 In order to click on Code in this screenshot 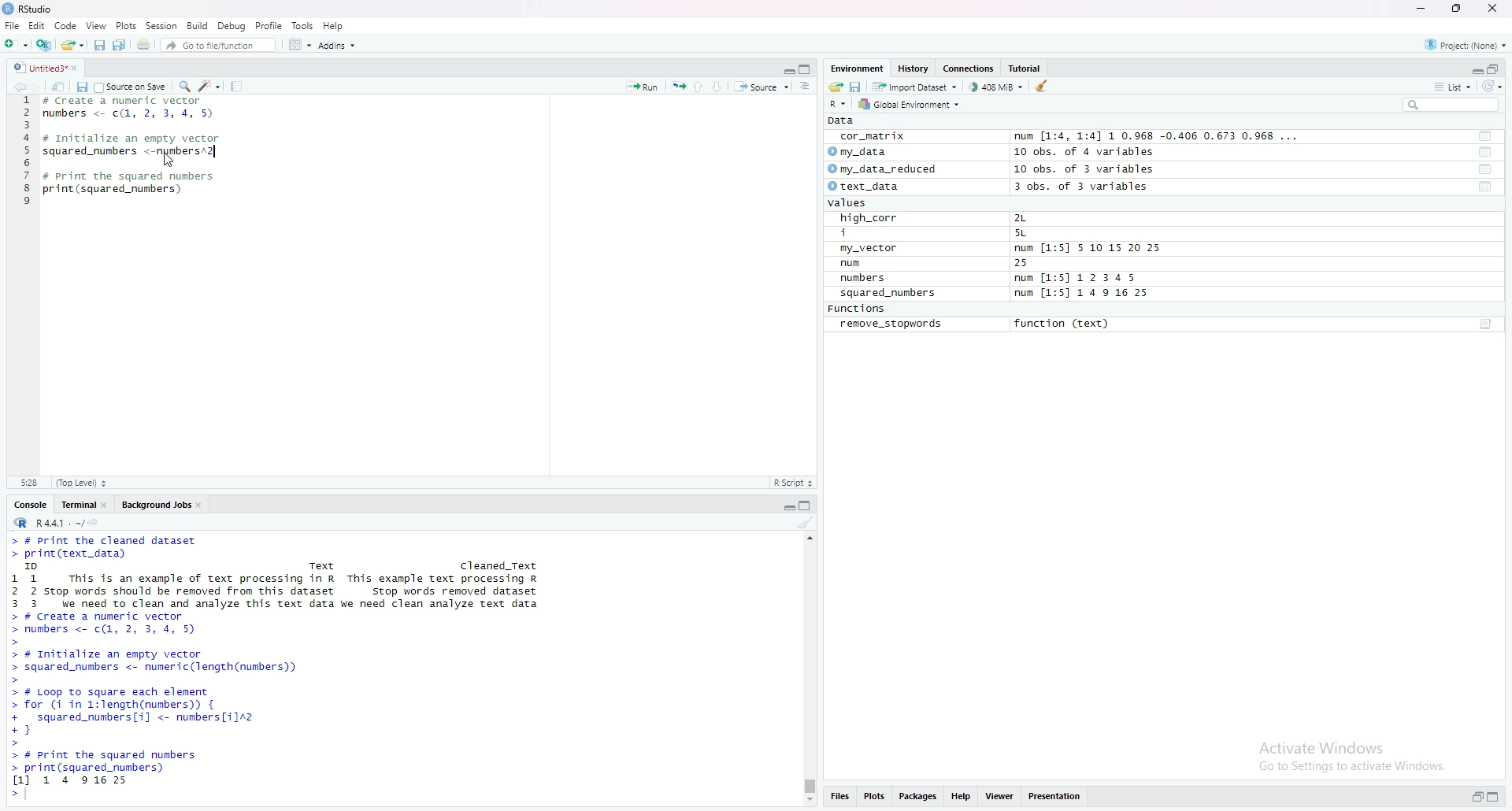, I will do `click(66, 25)`.